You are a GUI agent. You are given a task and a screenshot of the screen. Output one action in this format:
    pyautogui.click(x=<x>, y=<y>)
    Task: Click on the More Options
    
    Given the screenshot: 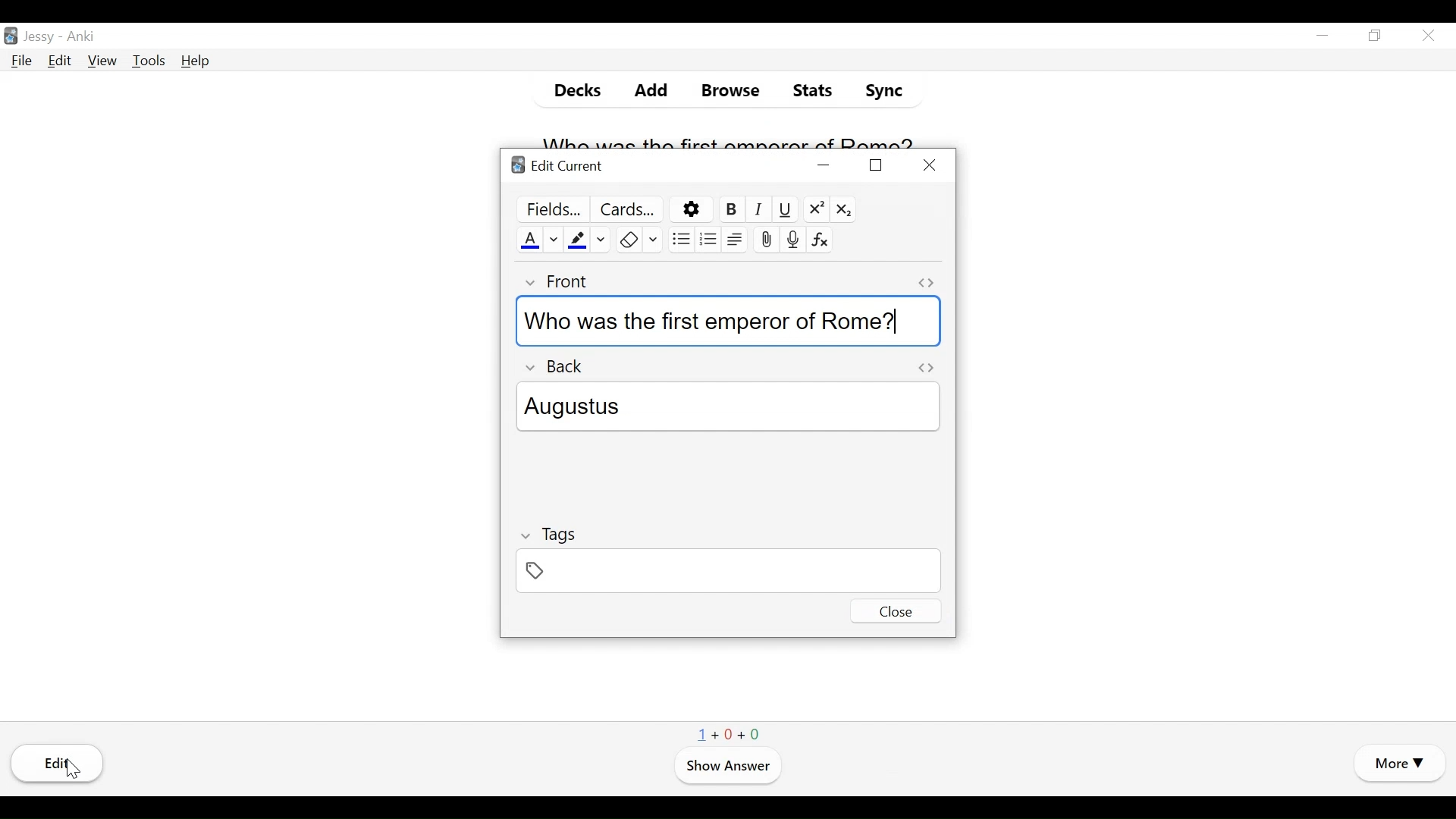 What is the action you would take?
    pyautogui.click(x=1398, y=765)
    